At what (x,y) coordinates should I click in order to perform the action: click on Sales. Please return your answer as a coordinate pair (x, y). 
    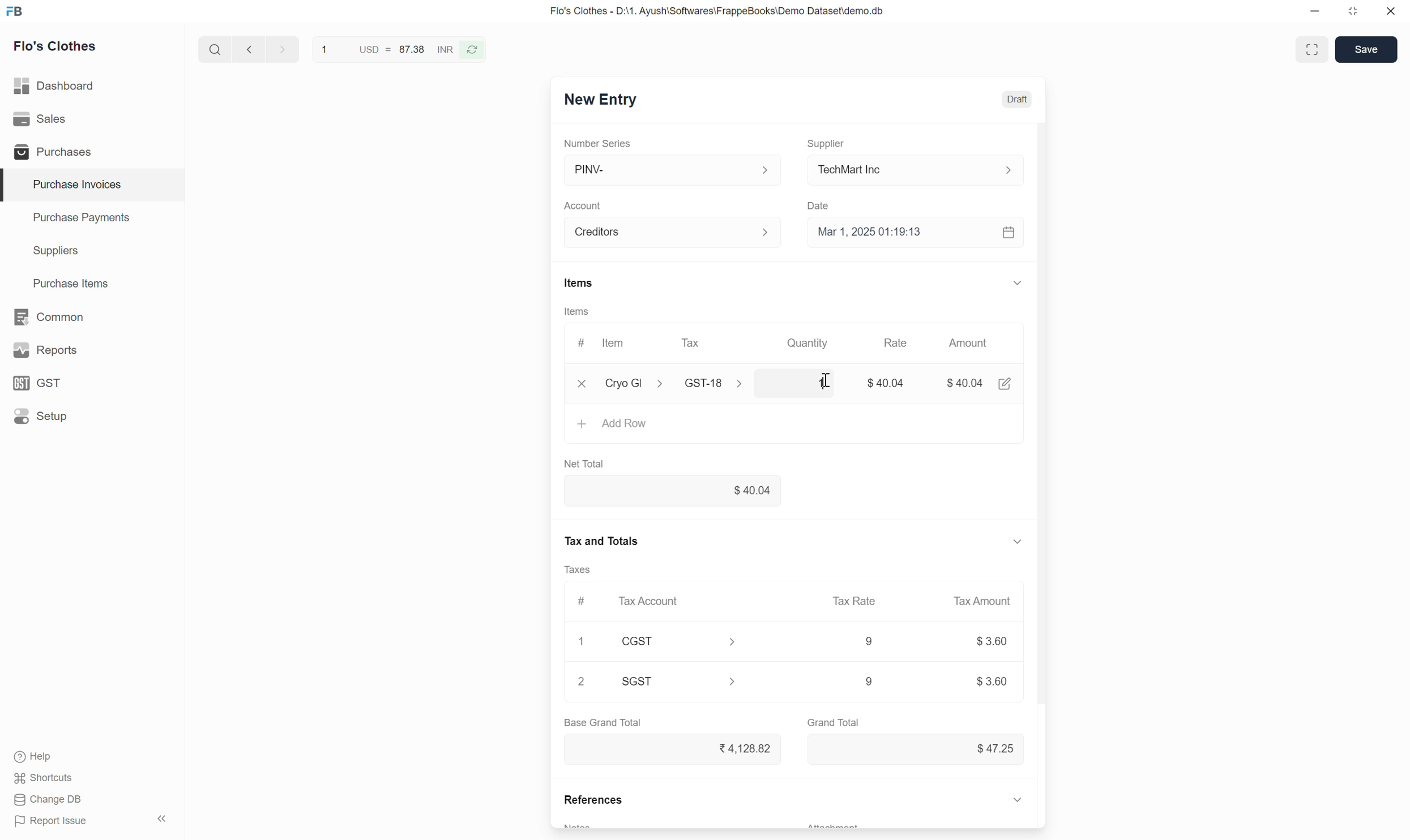
    Looking at the image, I should click on (42, 119).